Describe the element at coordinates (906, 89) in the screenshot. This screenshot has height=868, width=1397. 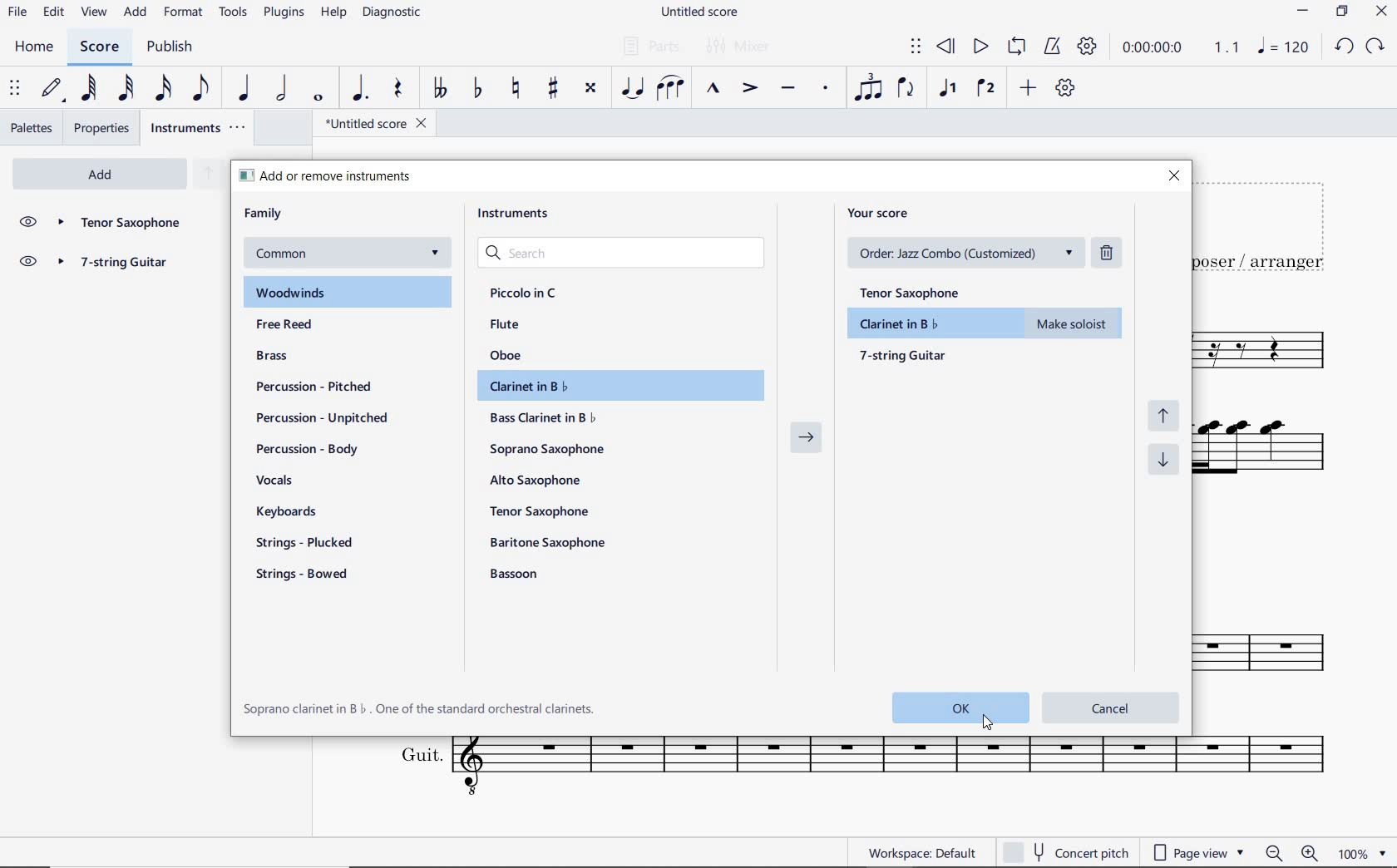
I see `FLIP DIRECTION` at that location.